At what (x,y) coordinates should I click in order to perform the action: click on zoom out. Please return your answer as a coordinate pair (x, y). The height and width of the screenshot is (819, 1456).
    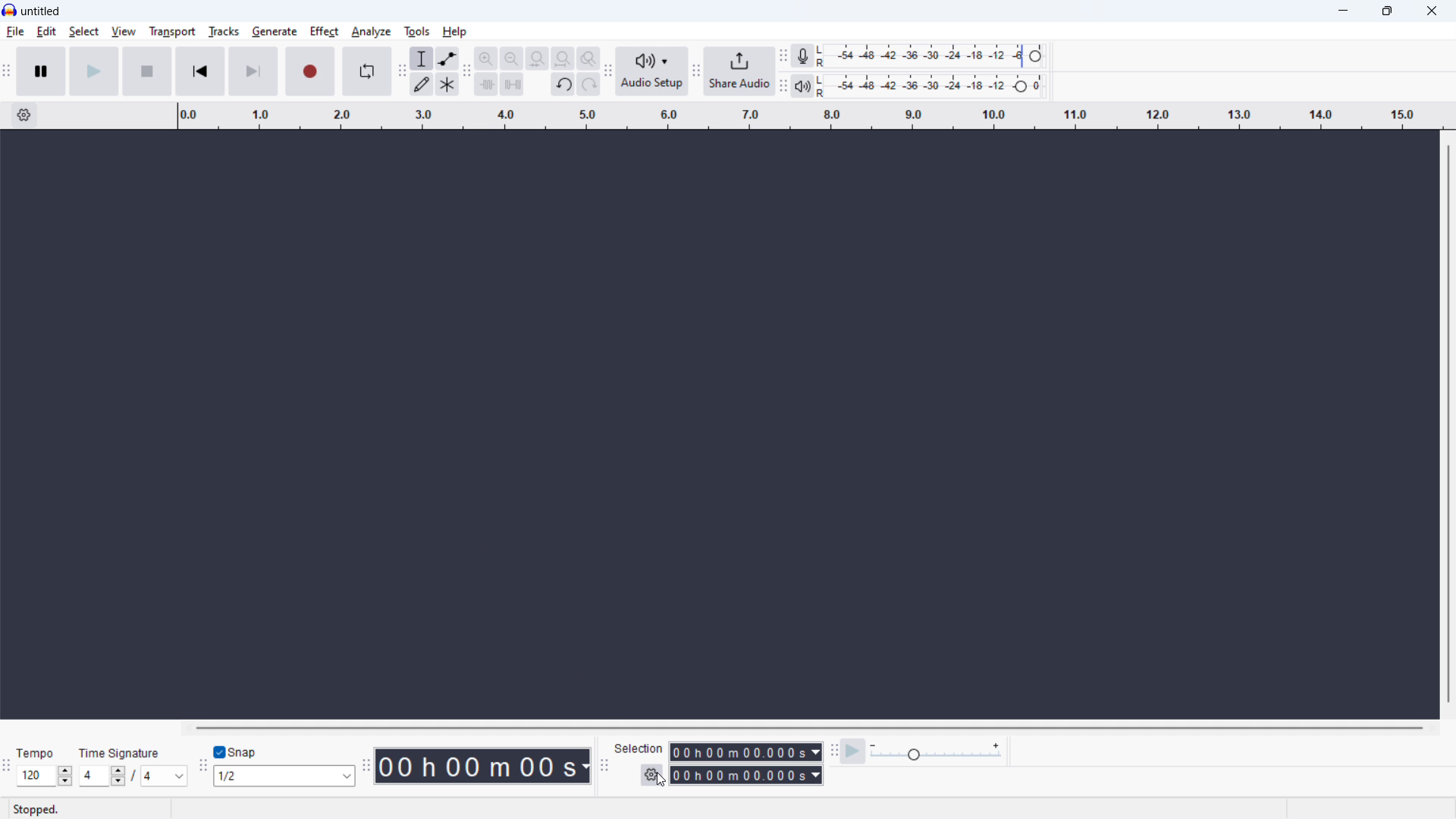
    Looking at the image, I should click on (513, 58).